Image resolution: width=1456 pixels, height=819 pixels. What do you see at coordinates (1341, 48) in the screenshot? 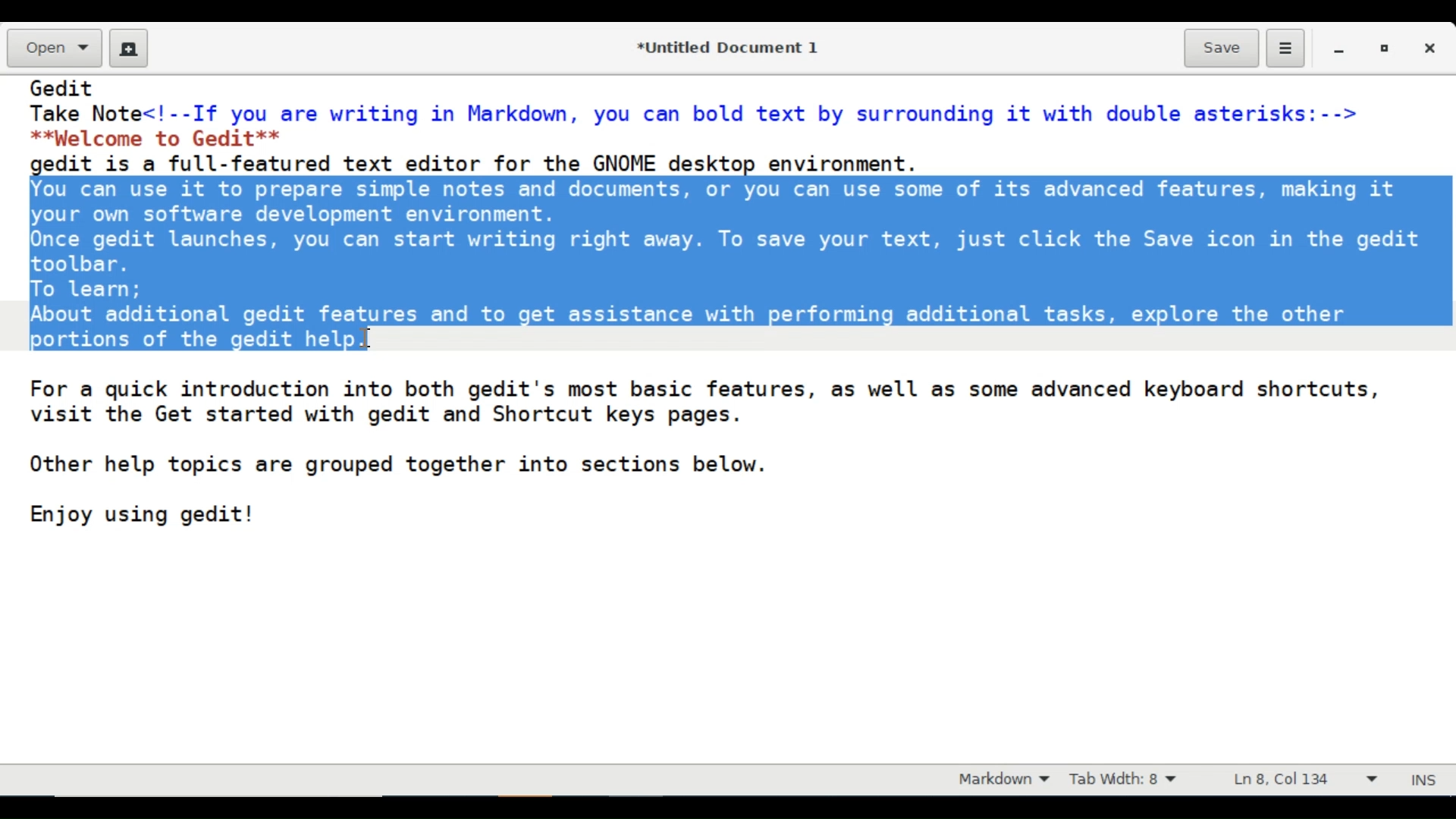
I see `minimize` at bounding box center [1341, 48].